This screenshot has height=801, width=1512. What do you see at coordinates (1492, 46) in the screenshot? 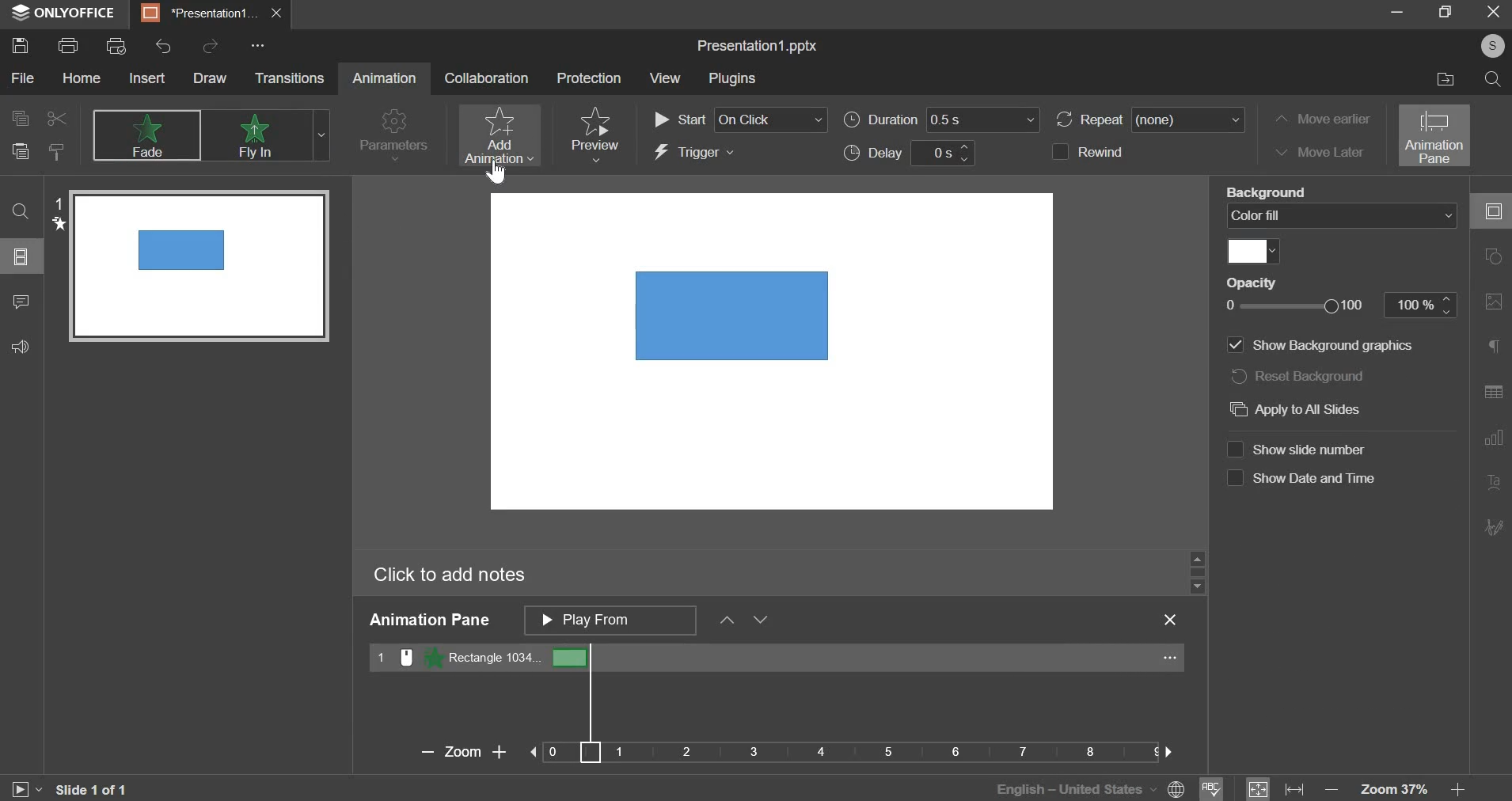
I see `Profile` at bounding box center [1492, 46].